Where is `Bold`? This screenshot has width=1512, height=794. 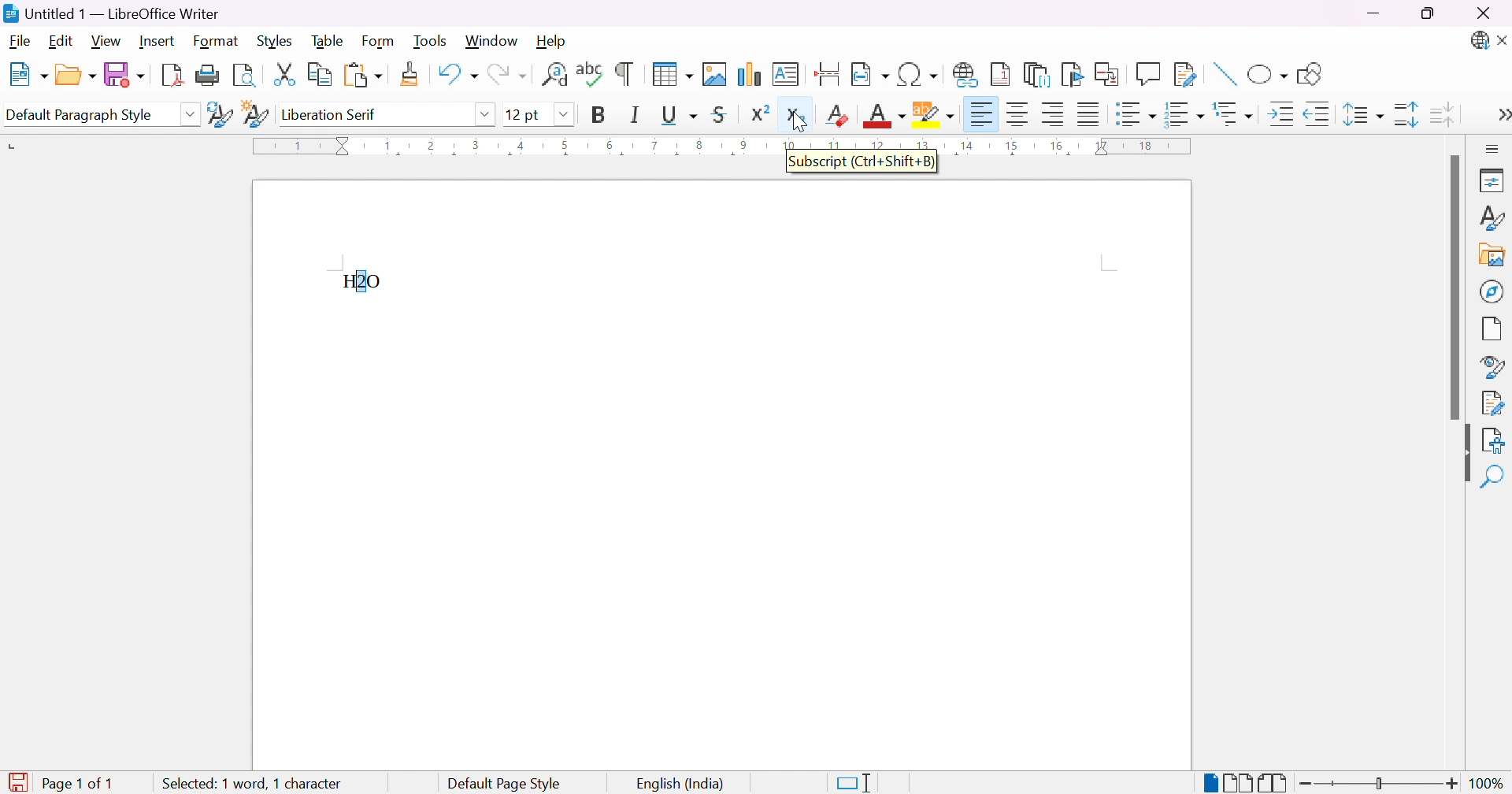
Bold is located at coordinates (598, 114).